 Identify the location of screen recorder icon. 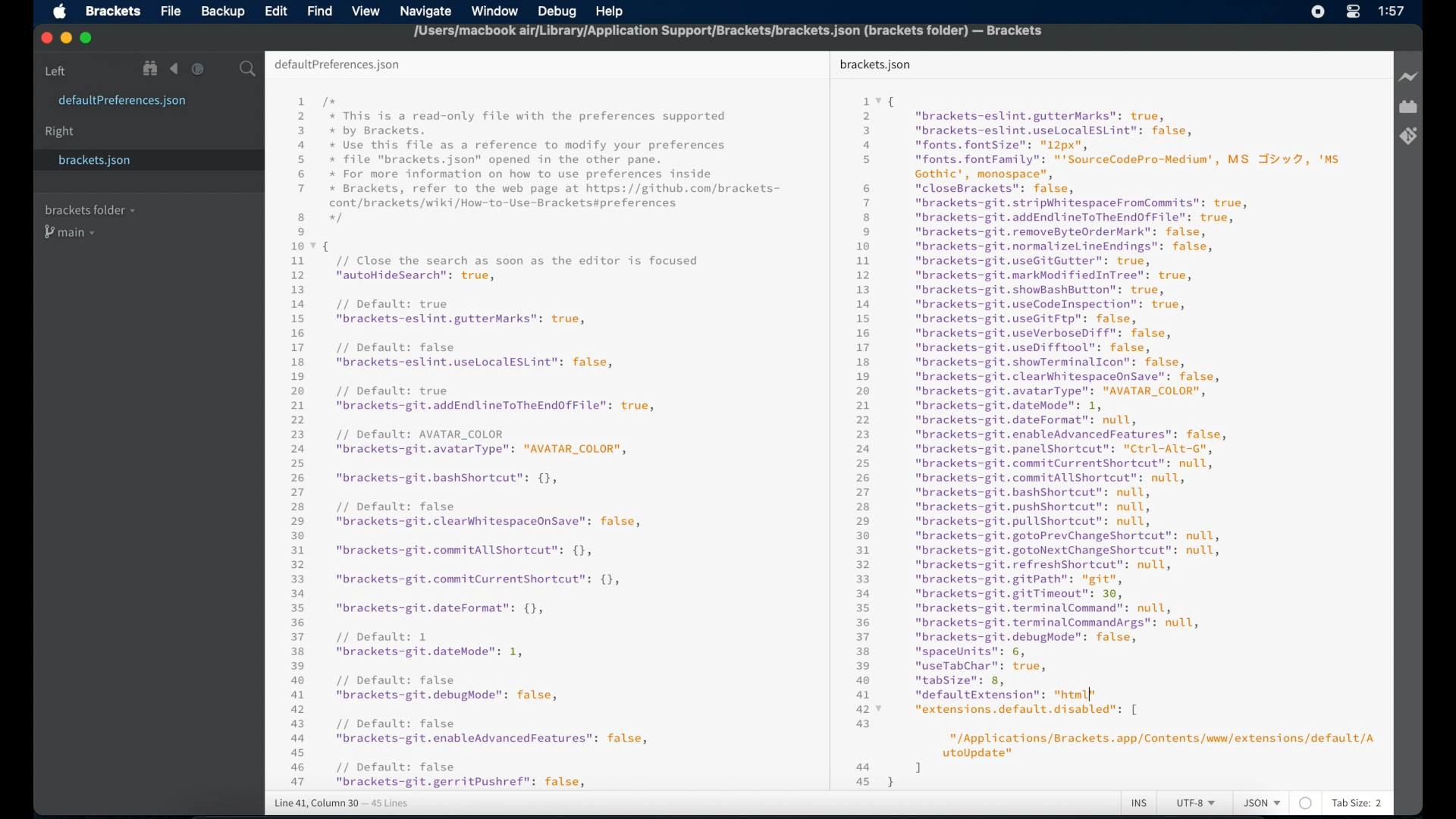
(1319, 11).